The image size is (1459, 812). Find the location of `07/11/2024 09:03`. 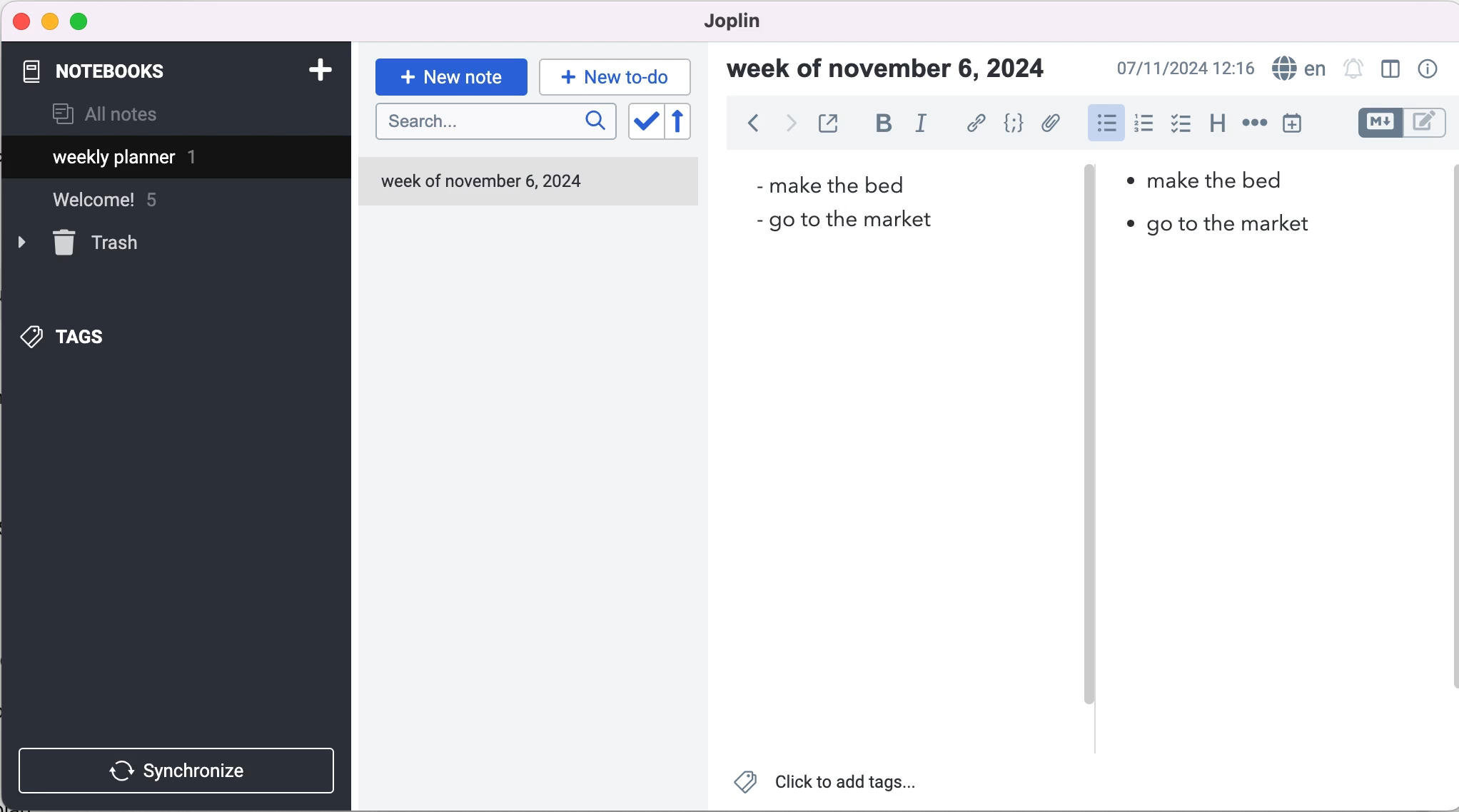

07/11/2024 09:03 is located at coordinates (1183, 68).